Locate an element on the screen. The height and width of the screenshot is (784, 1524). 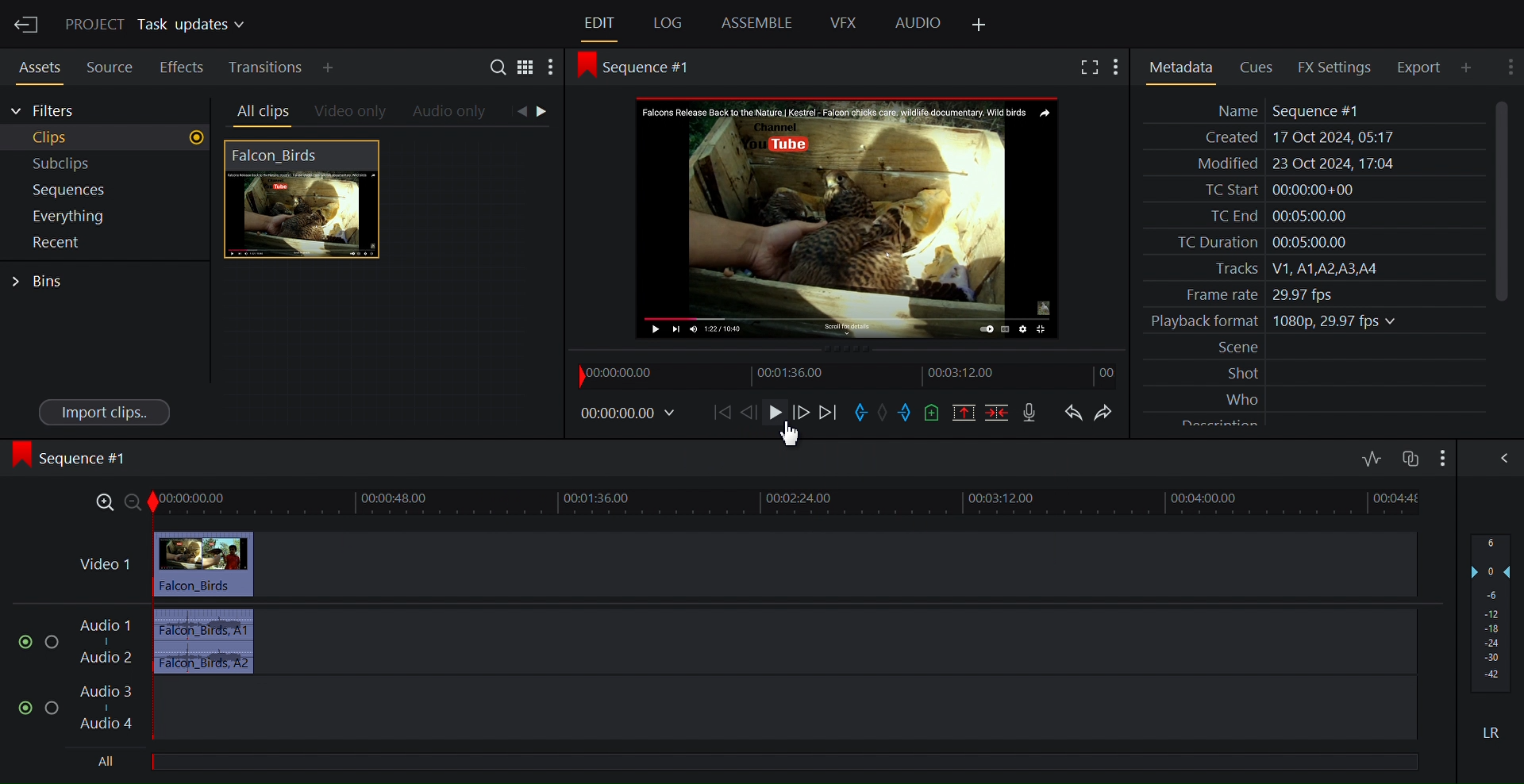
Move forward is located at coordinates (829, 413).